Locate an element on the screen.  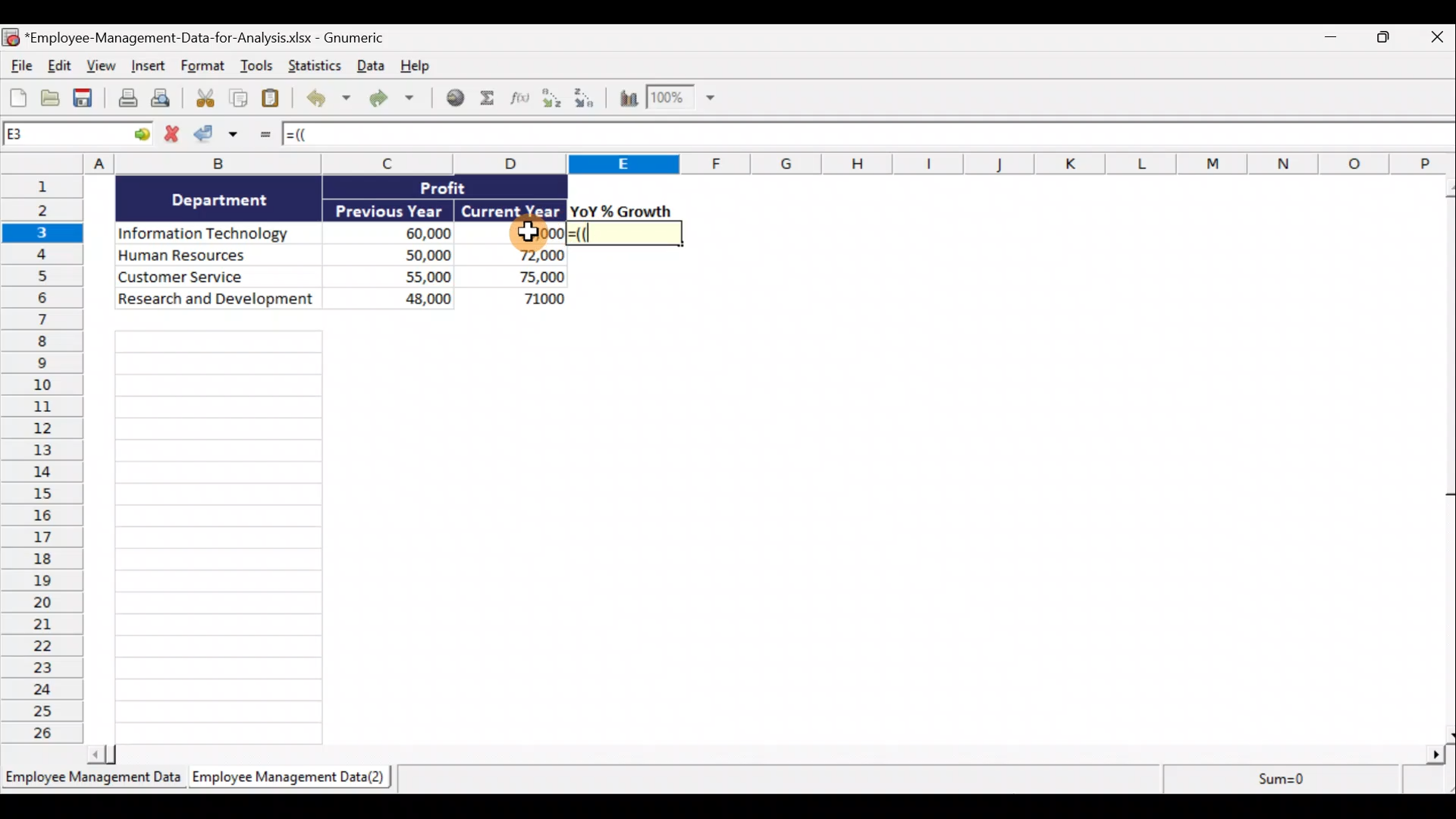
Redo undone action is located at coordinates (390, 99).